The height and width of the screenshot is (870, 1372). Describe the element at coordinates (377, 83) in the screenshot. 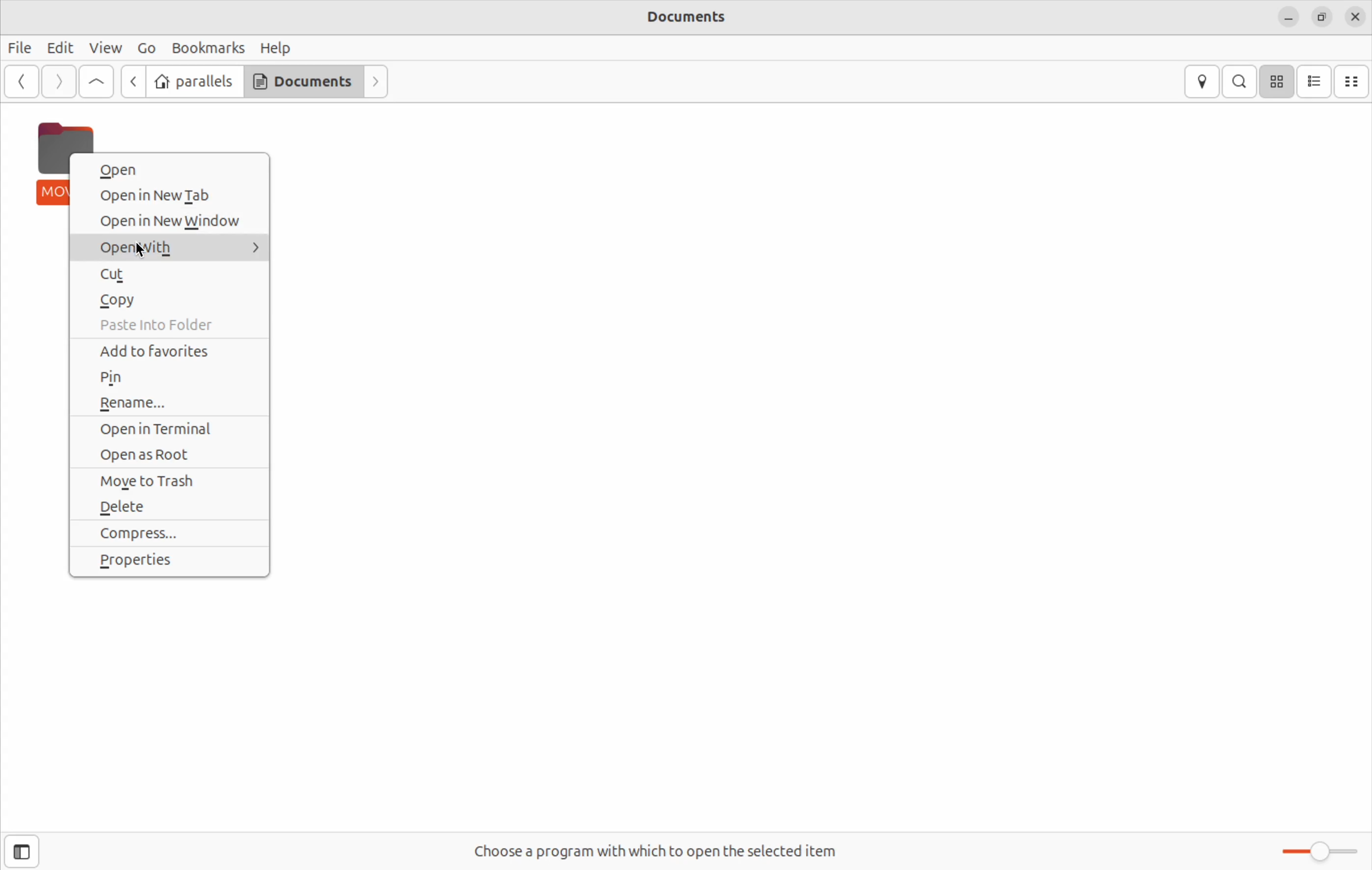

I see `forward` at that location.